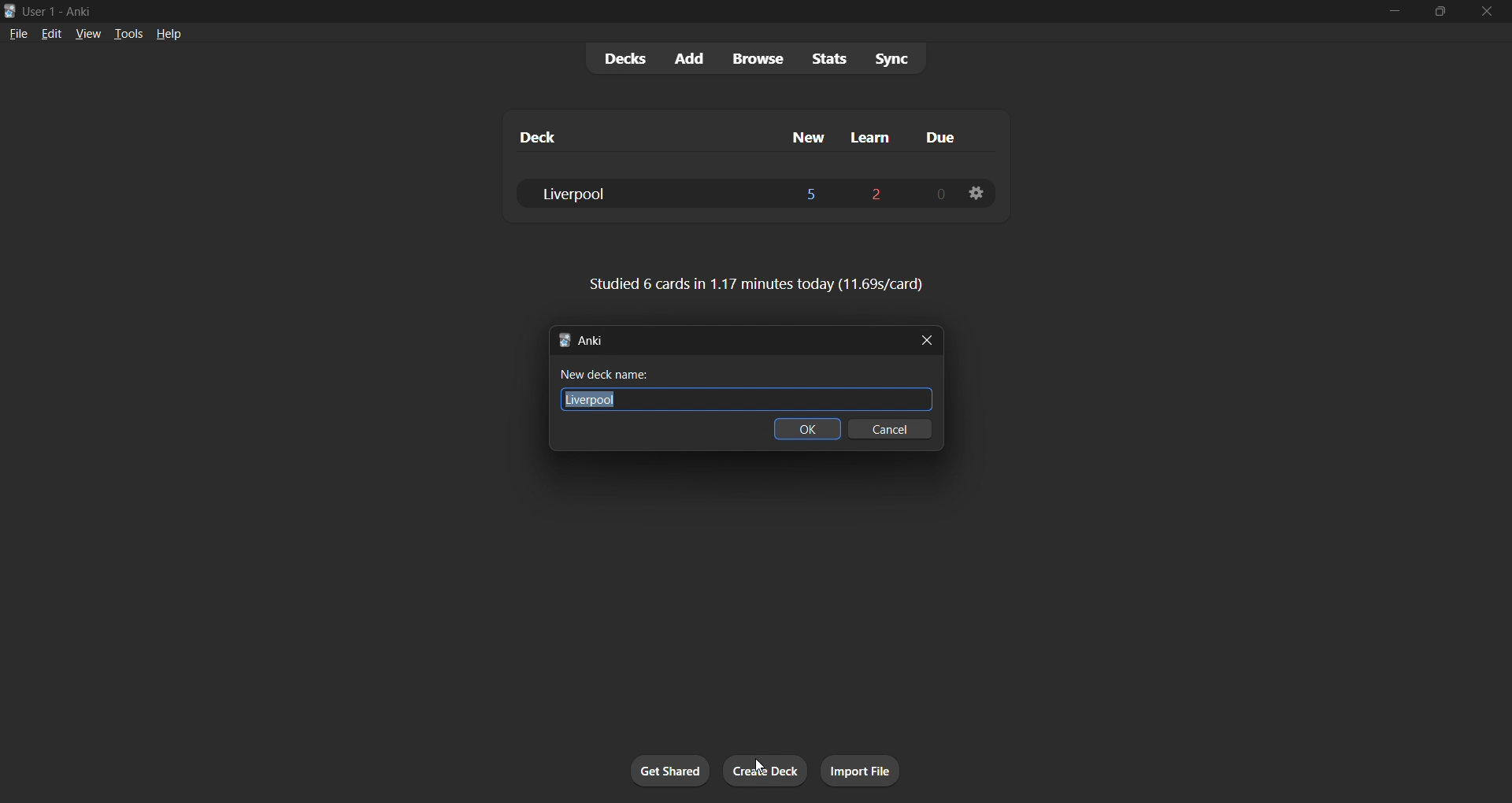 The height and width of the screenshot is (803, 1512). Describe the element at coordinates (946, 141) in the screenshot. I see `due cards column` at that location.